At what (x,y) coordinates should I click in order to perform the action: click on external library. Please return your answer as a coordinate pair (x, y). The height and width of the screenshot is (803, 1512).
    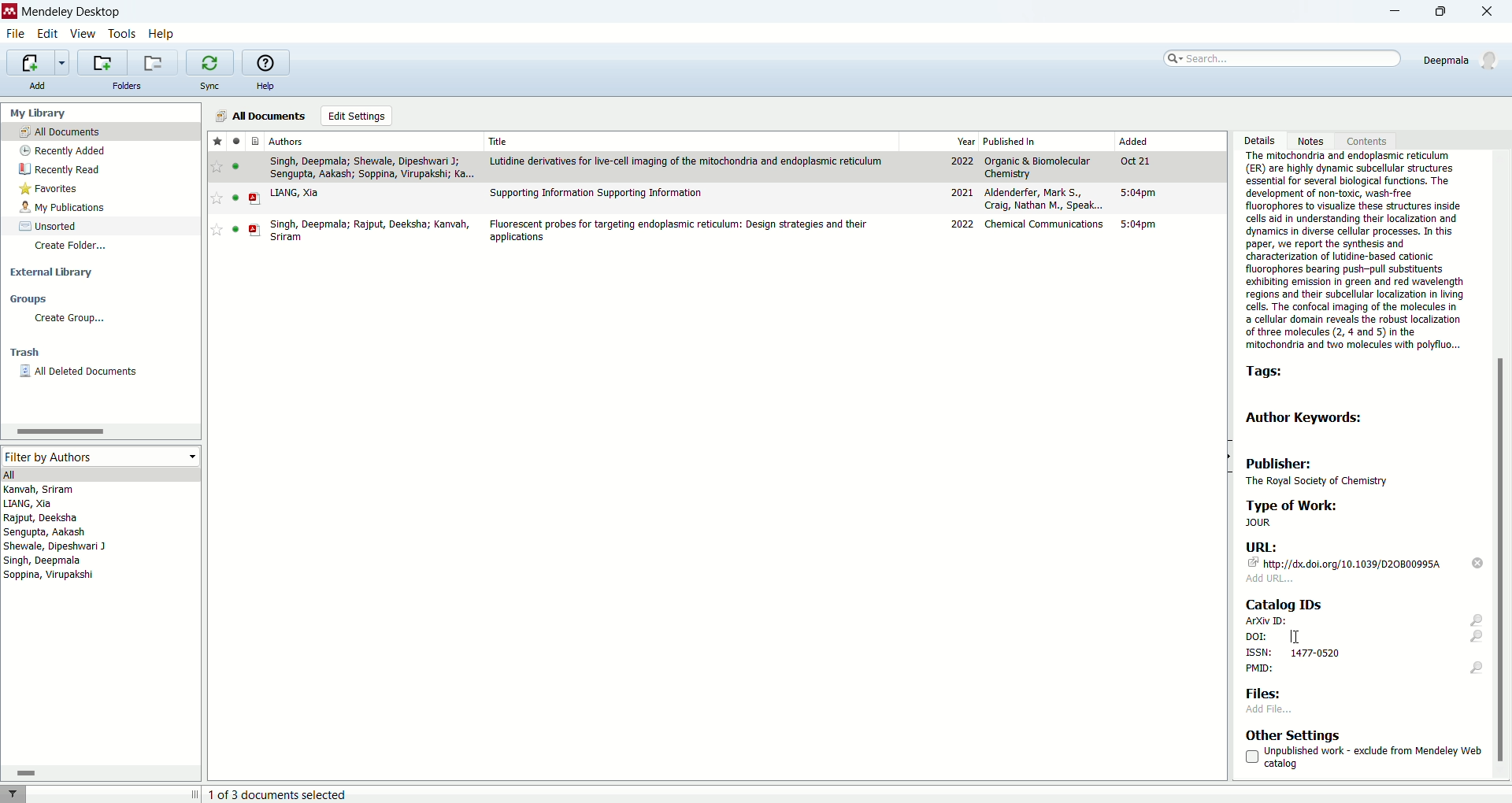
    Looking at the image, I should click on (52, 272).